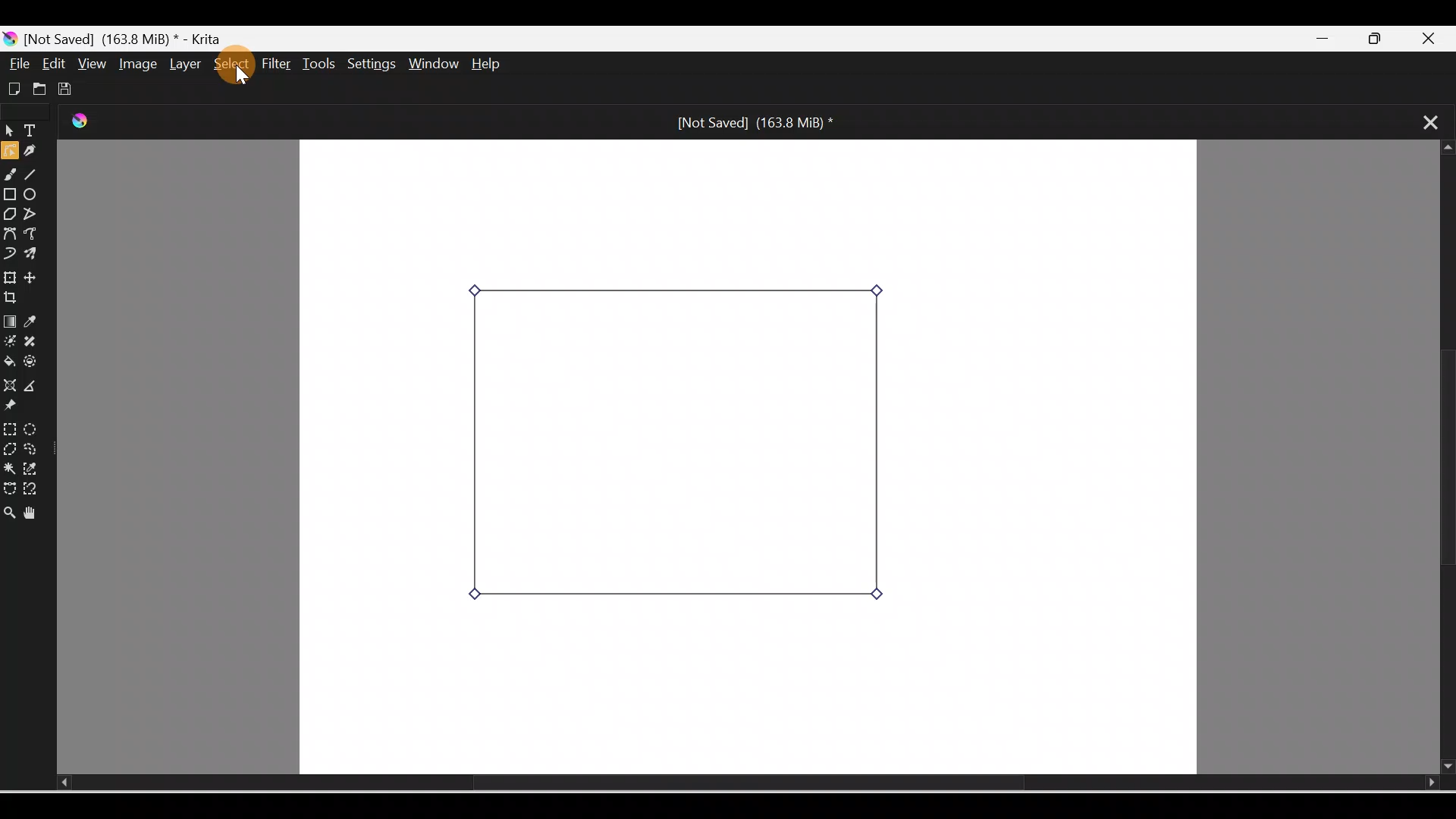  Describe the element at coordinates (37, 89) in the screenshot. I see `Open existing document` at that location.